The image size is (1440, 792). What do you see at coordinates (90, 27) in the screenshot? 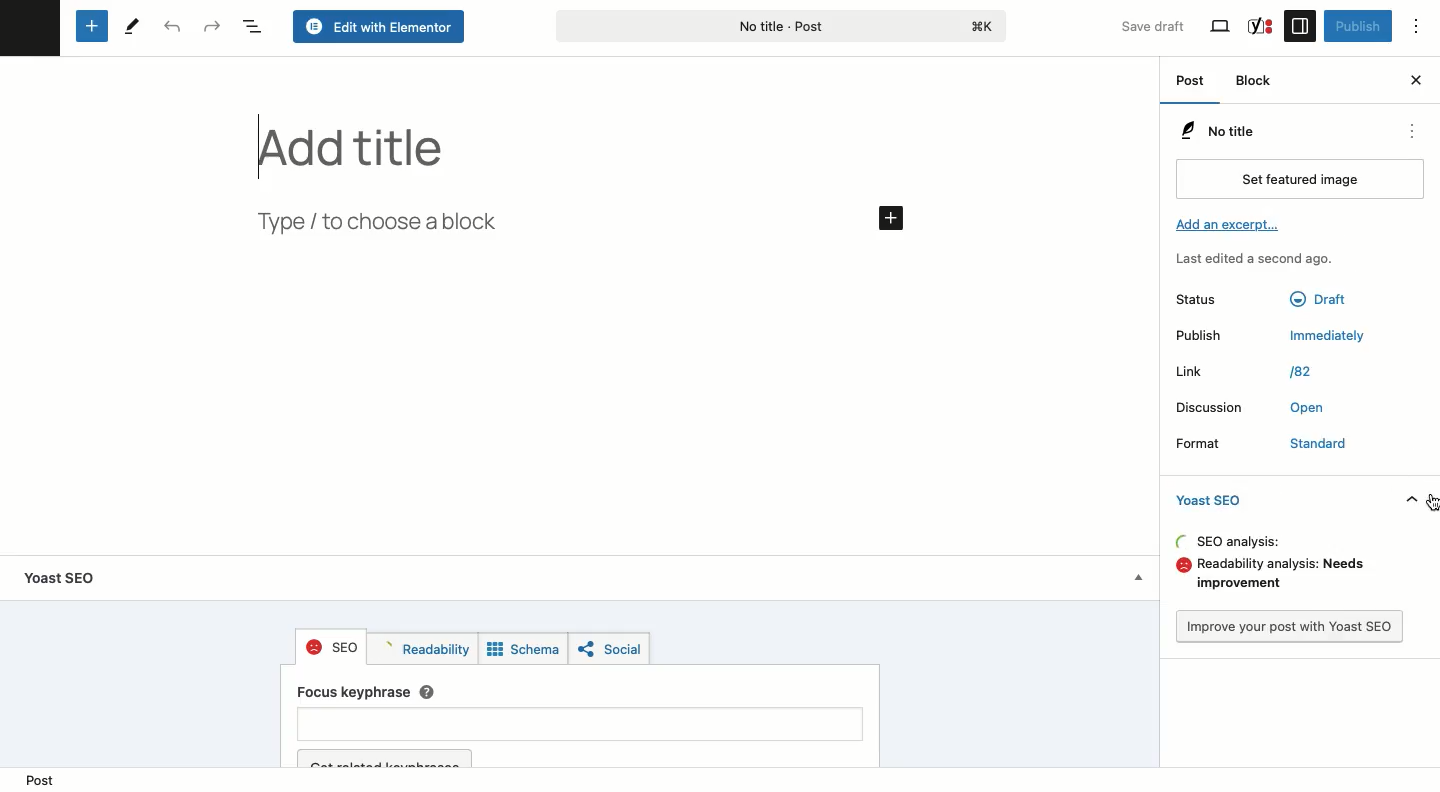
I see `Add new block` at bounding box center [90, 27].